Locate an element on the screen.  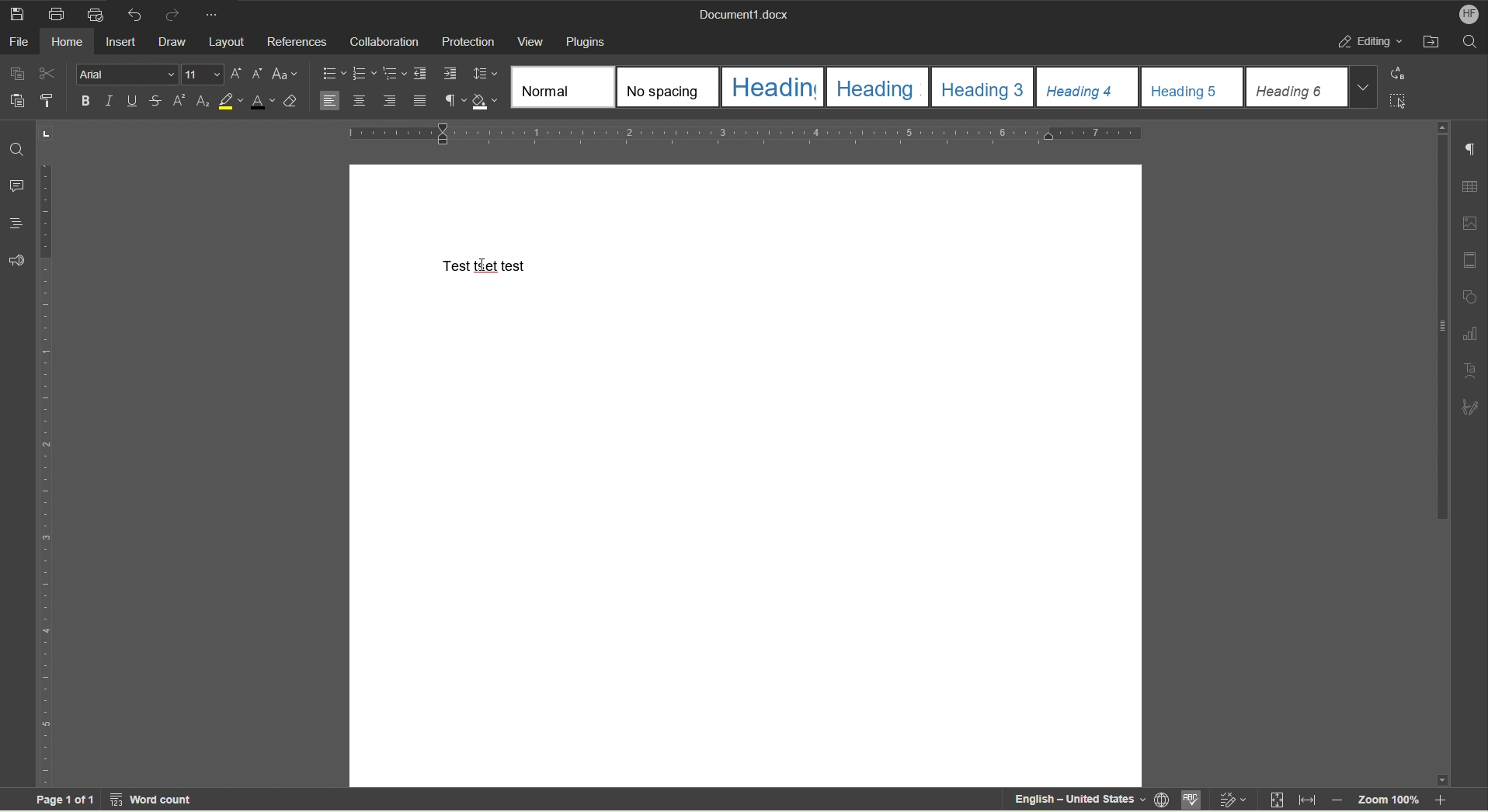
Open File Location is located at coordinates (1430, 41).